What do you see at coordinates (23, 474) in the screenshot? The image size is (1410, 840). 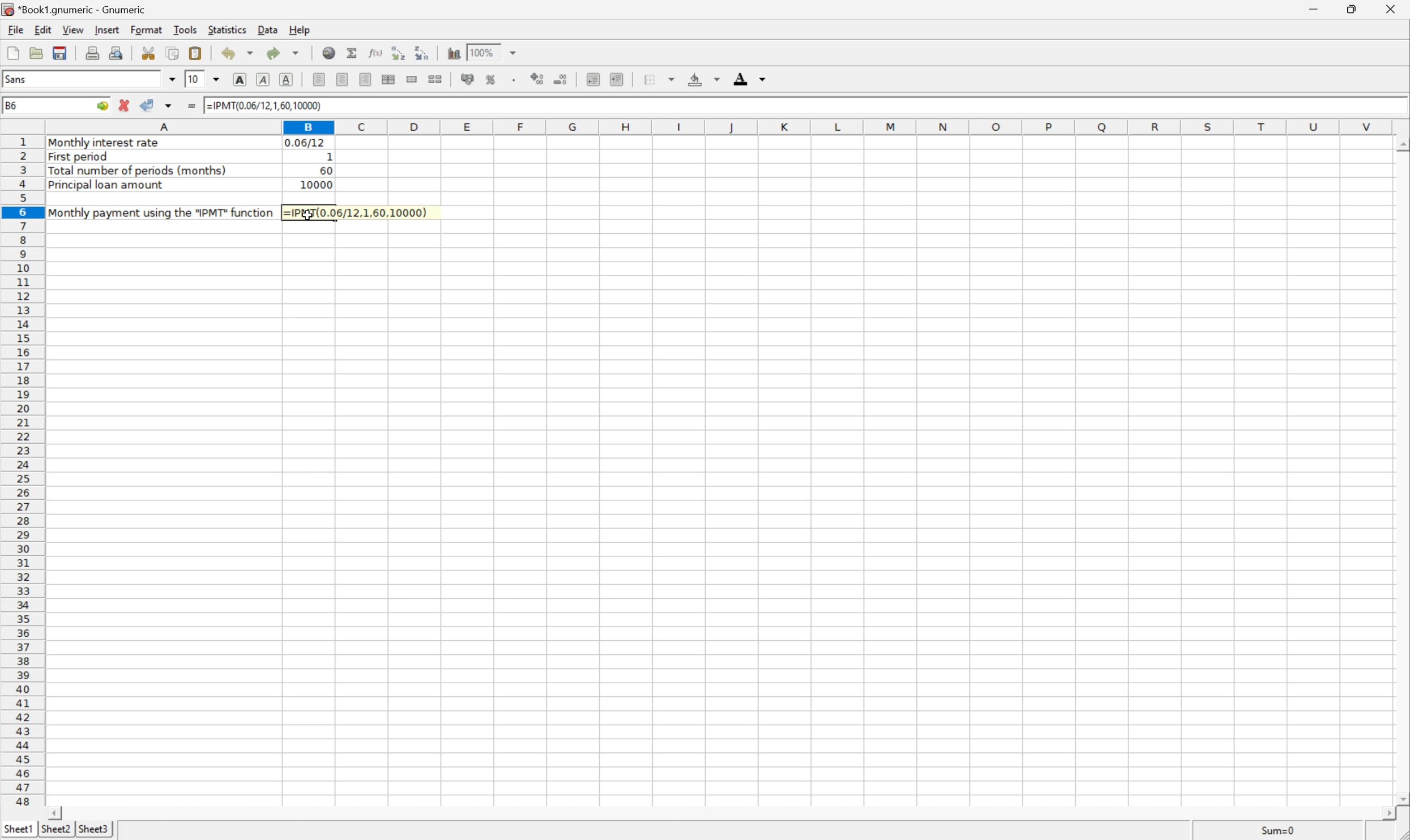 I see `Row Numbers` at bounding box center [23, 474].